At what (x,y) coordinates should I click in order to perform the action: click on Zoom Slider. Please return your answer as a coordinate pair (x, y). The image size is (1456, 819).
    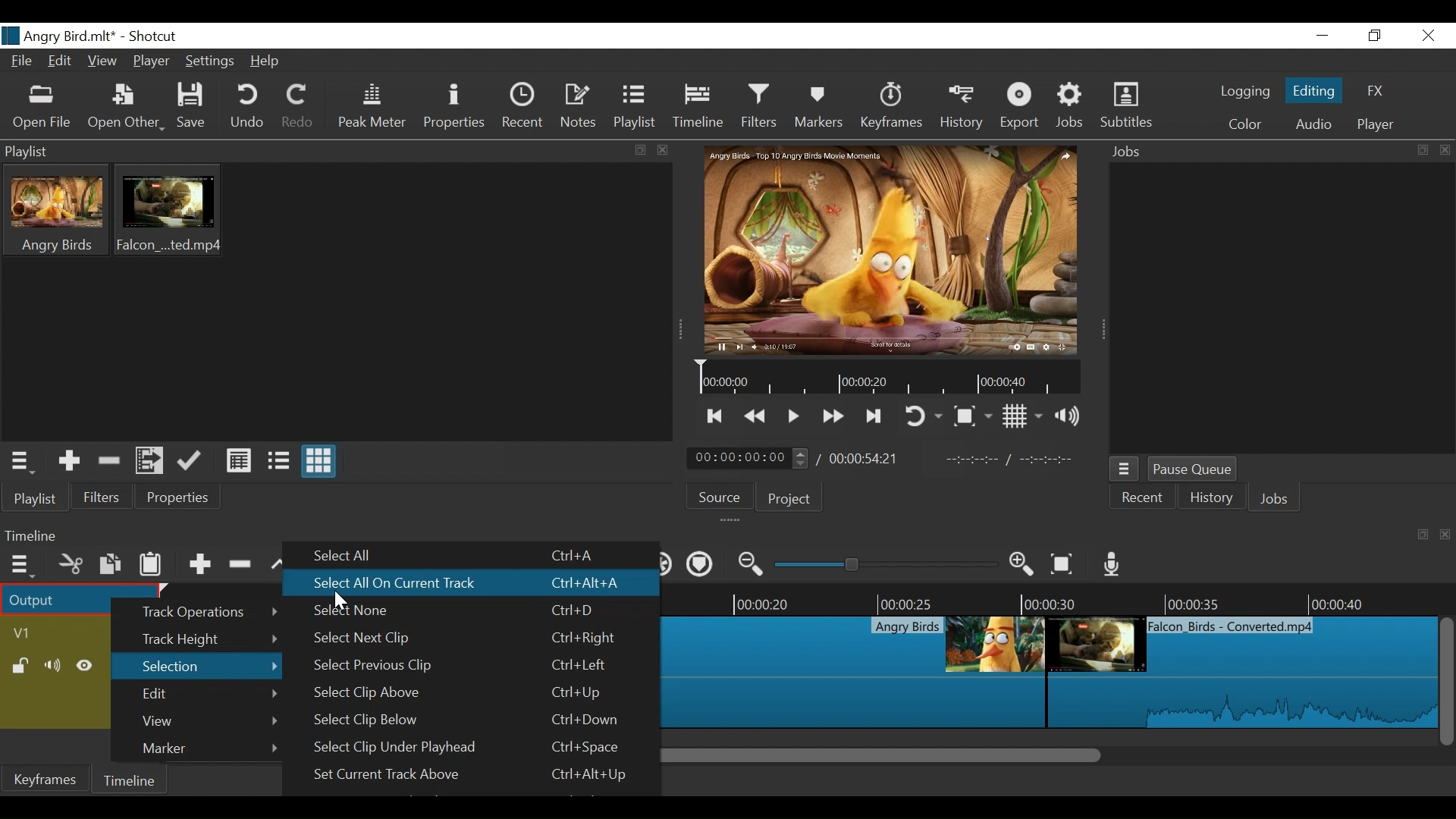
    Looking at the image, I should click on (888, 564).